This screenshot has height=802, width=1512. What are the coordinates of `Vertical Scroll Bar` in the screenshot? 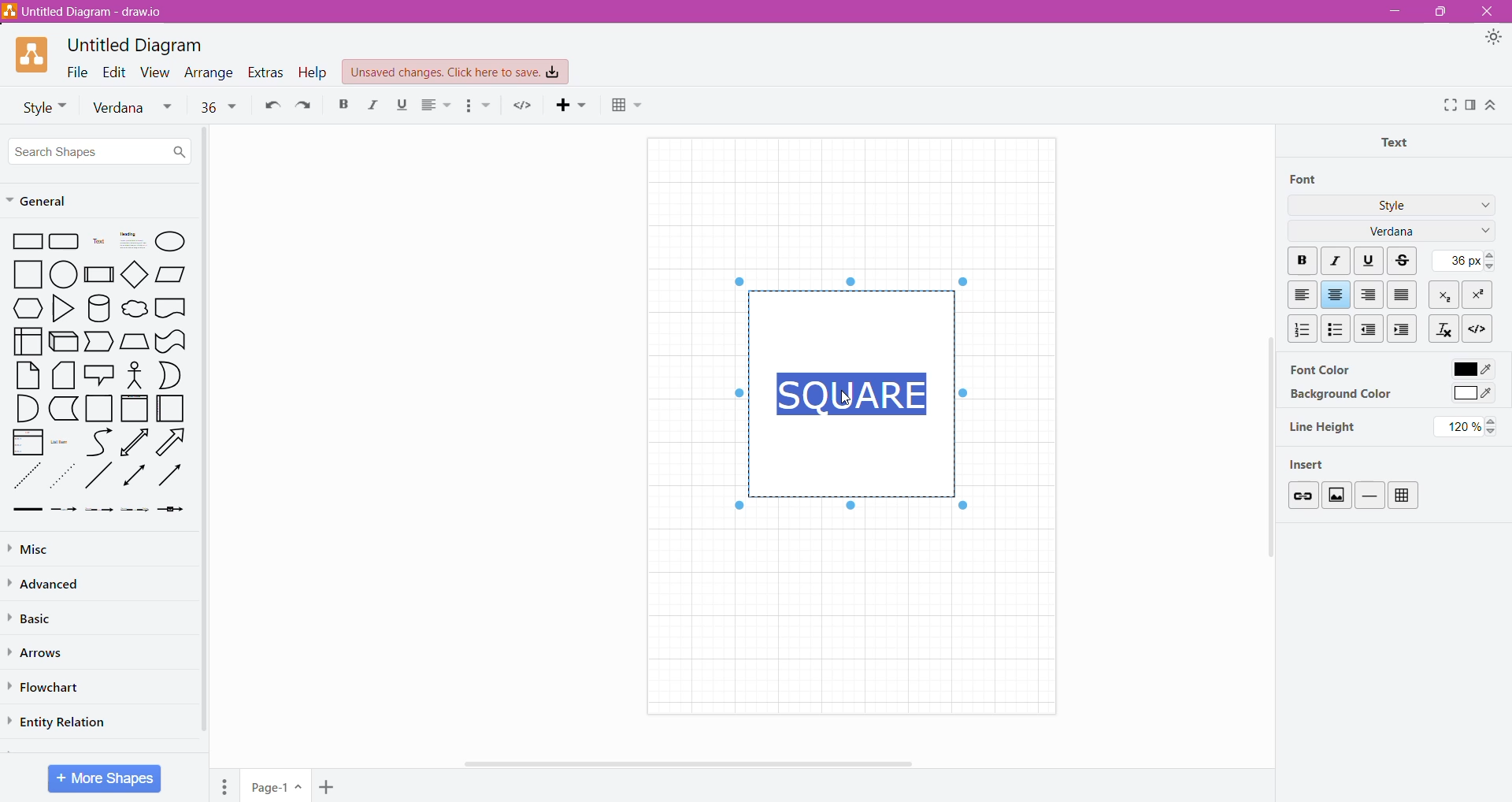 It's located at (1265, 474).